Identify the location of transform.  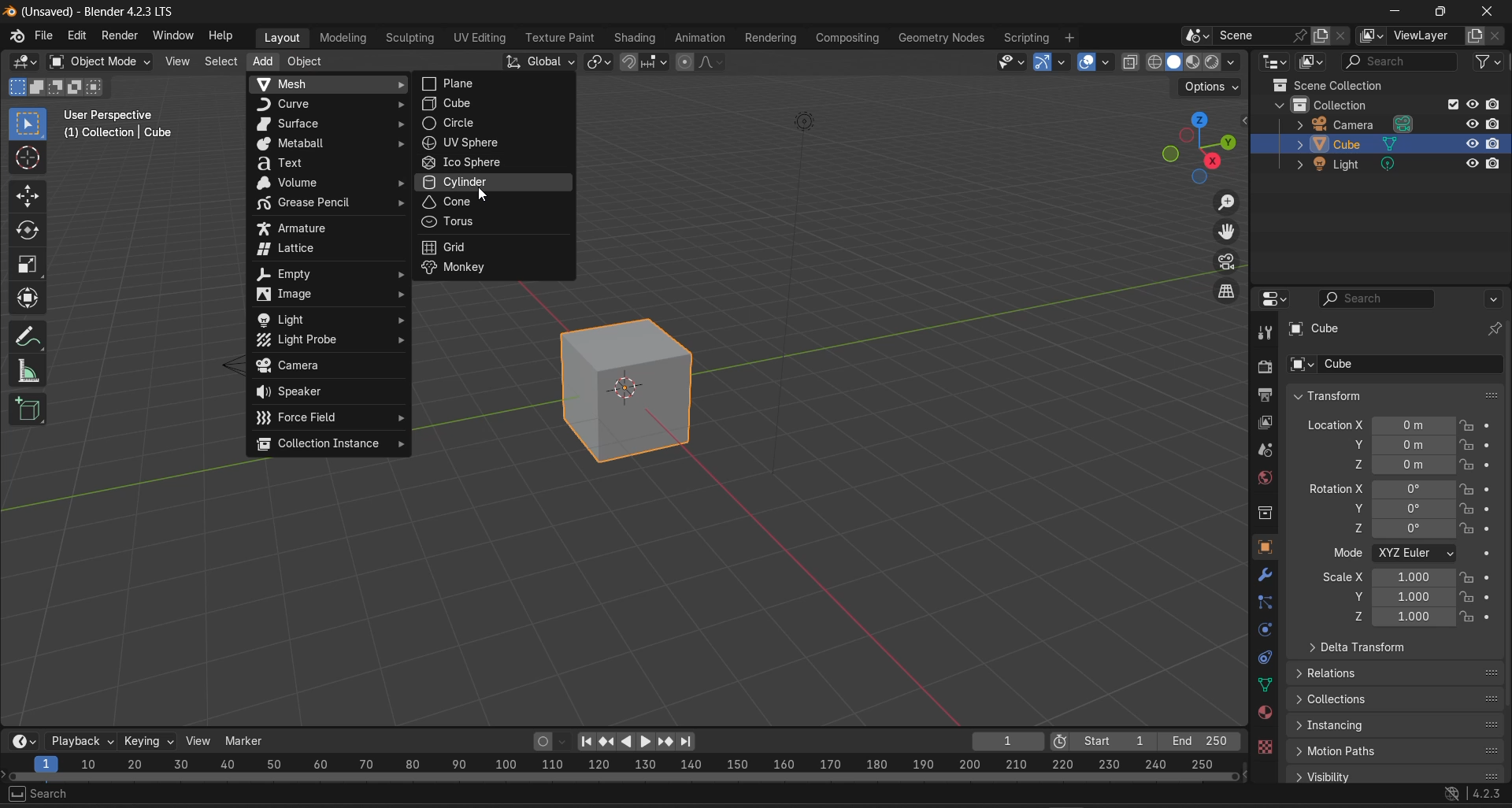
(1388, 395).